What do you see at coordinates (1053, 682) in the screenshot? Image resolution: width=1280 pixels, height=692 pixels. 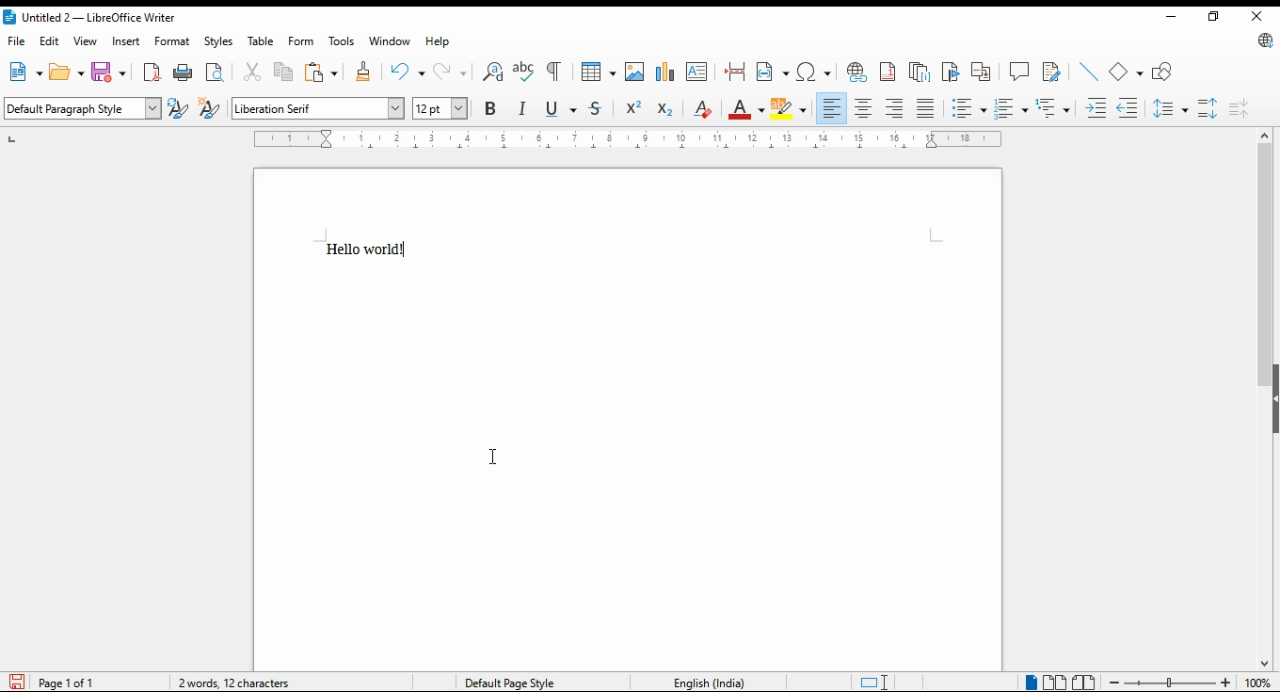 I see `multi page view` at bounding box center [1053, 682].